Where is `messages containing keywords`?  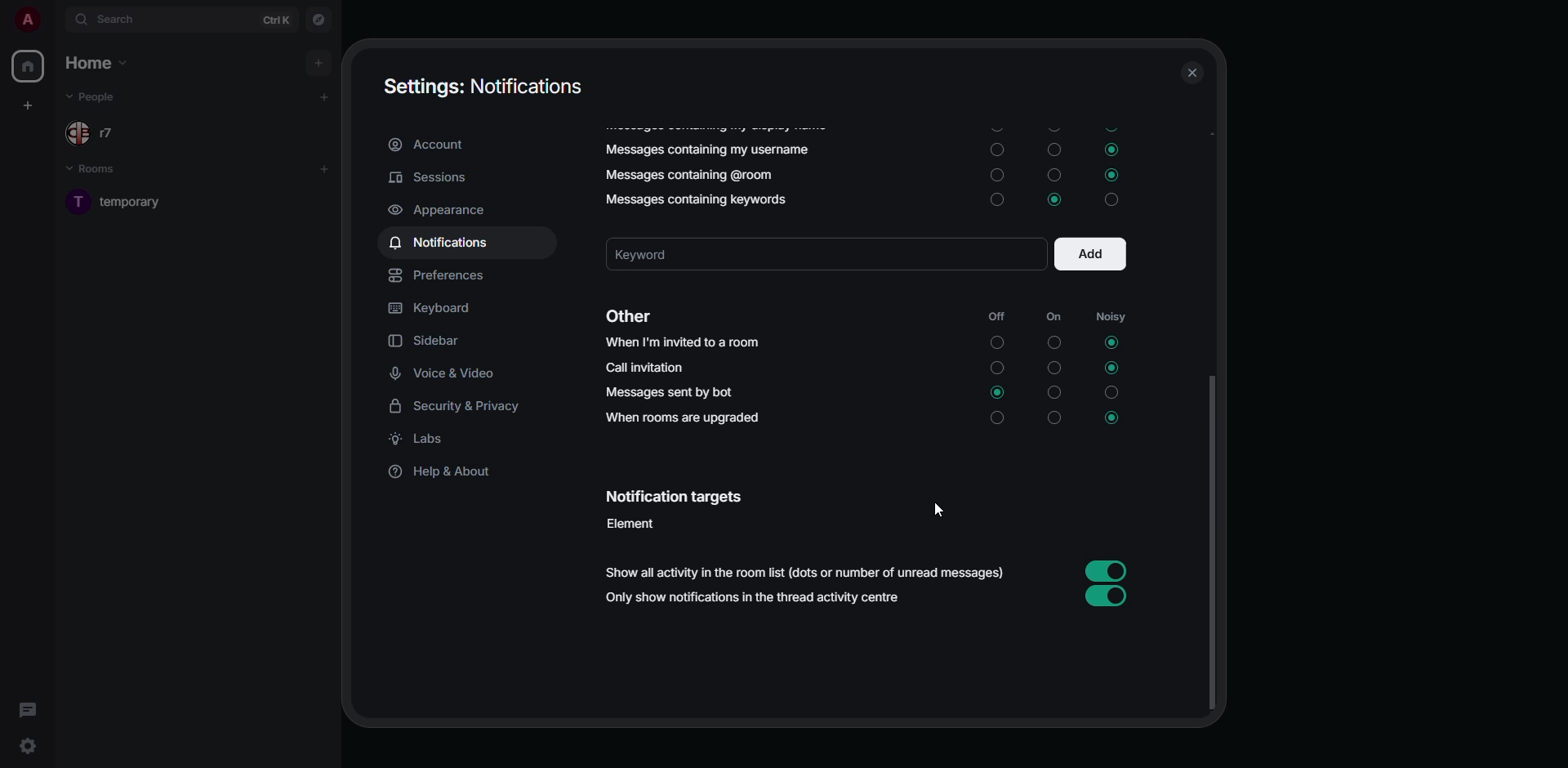 messages containing keywords is located at coordinates (694, 199).